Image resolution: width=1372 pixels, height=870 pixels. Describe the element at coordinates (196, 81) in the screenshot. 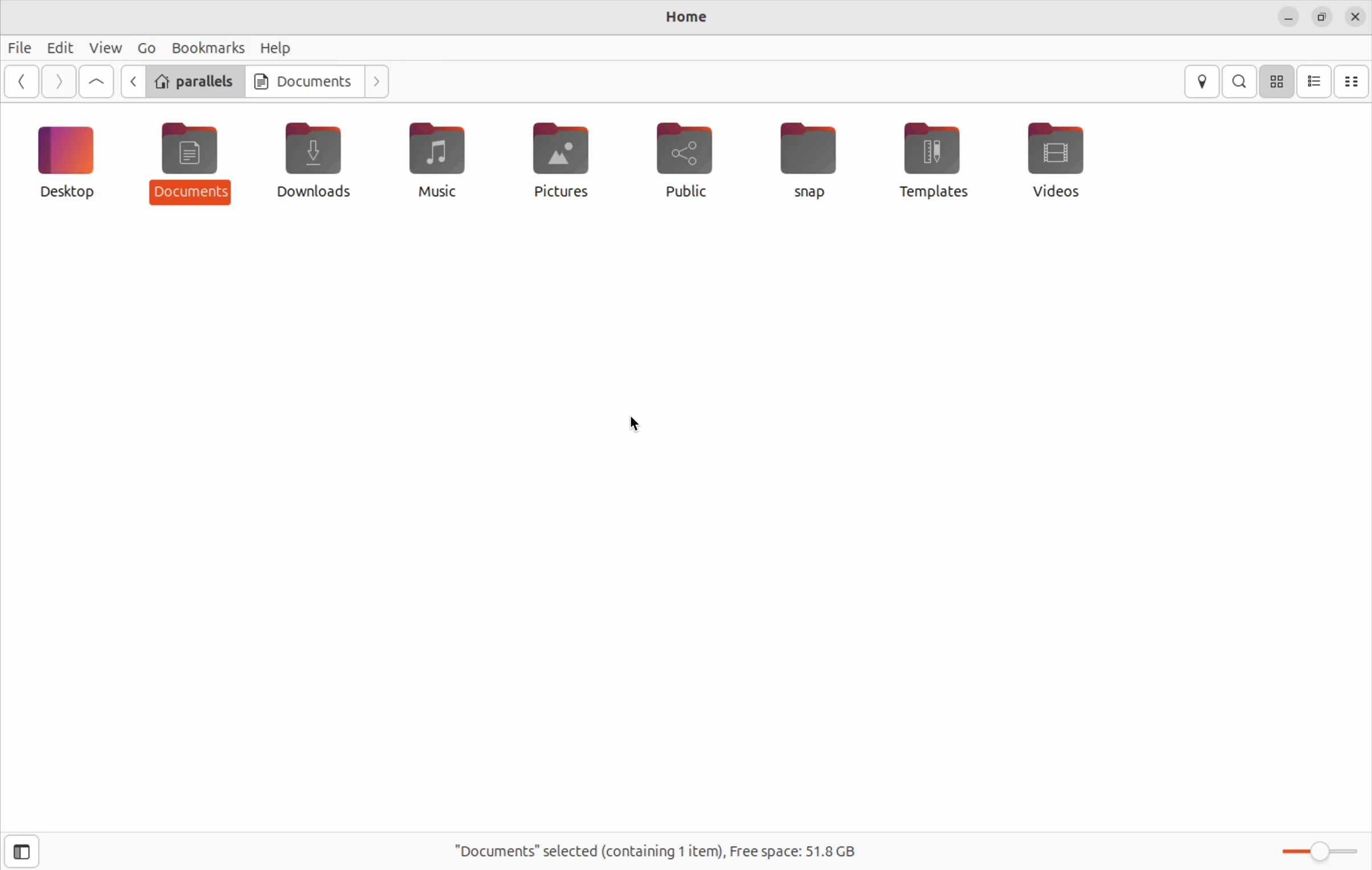

I see `parallels` at that location.